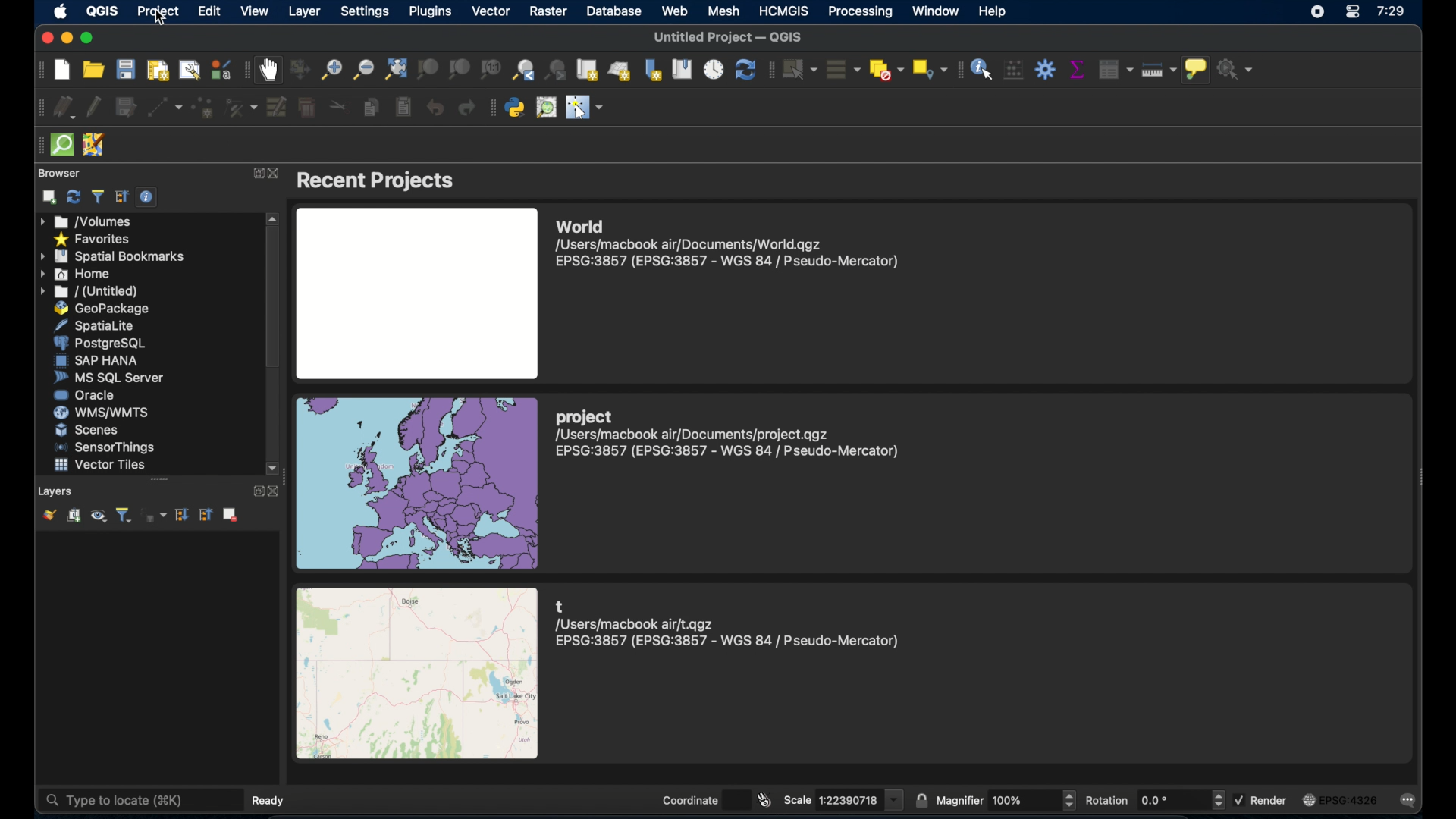 This screenshot has width=1456, height=819. Describe the element at coordinates (254, 12) in the screenshot. I see `view` at that location.